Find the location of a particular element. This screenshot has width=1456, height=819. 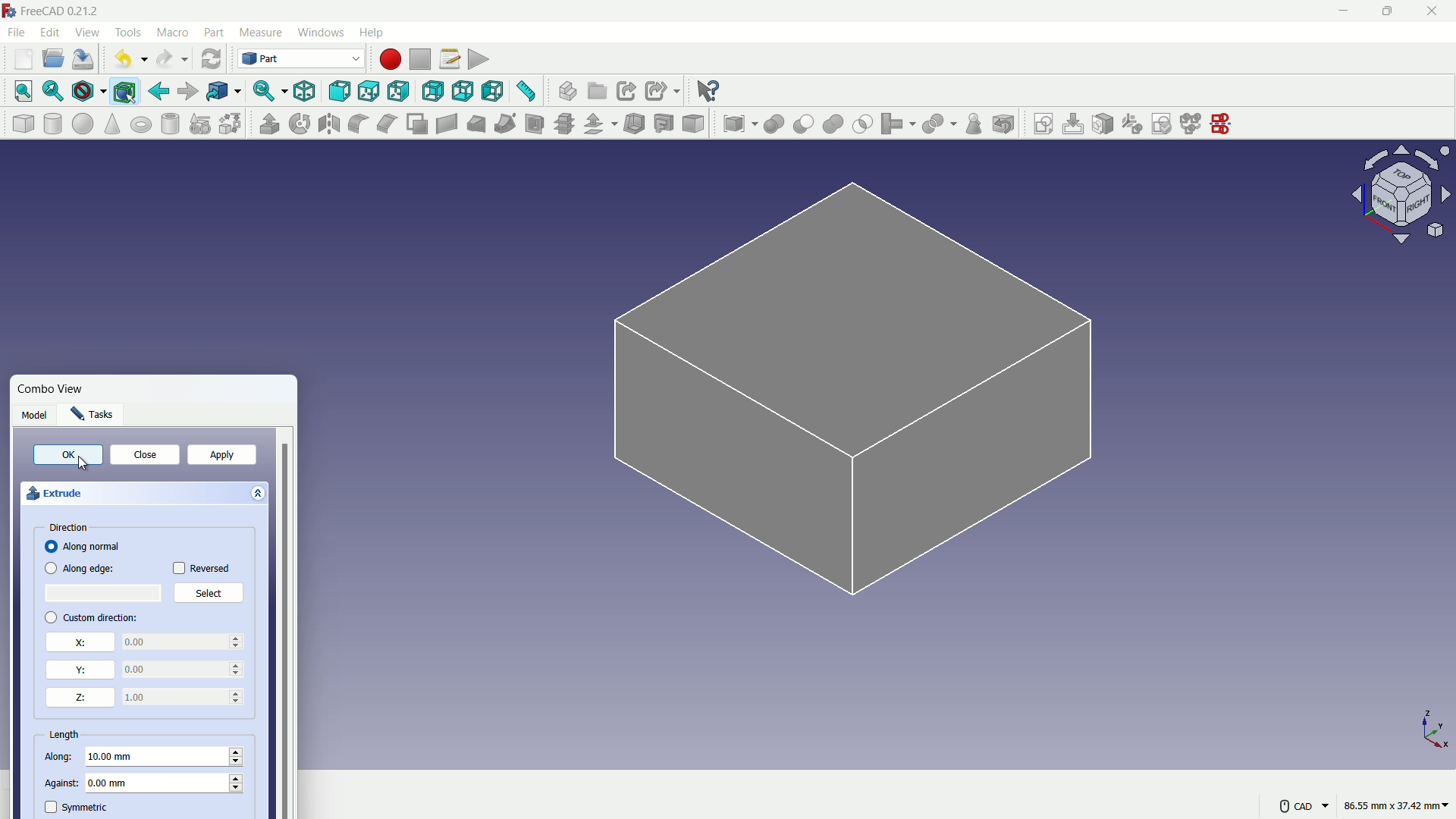

0.00 is located at coordinates (184, 642).